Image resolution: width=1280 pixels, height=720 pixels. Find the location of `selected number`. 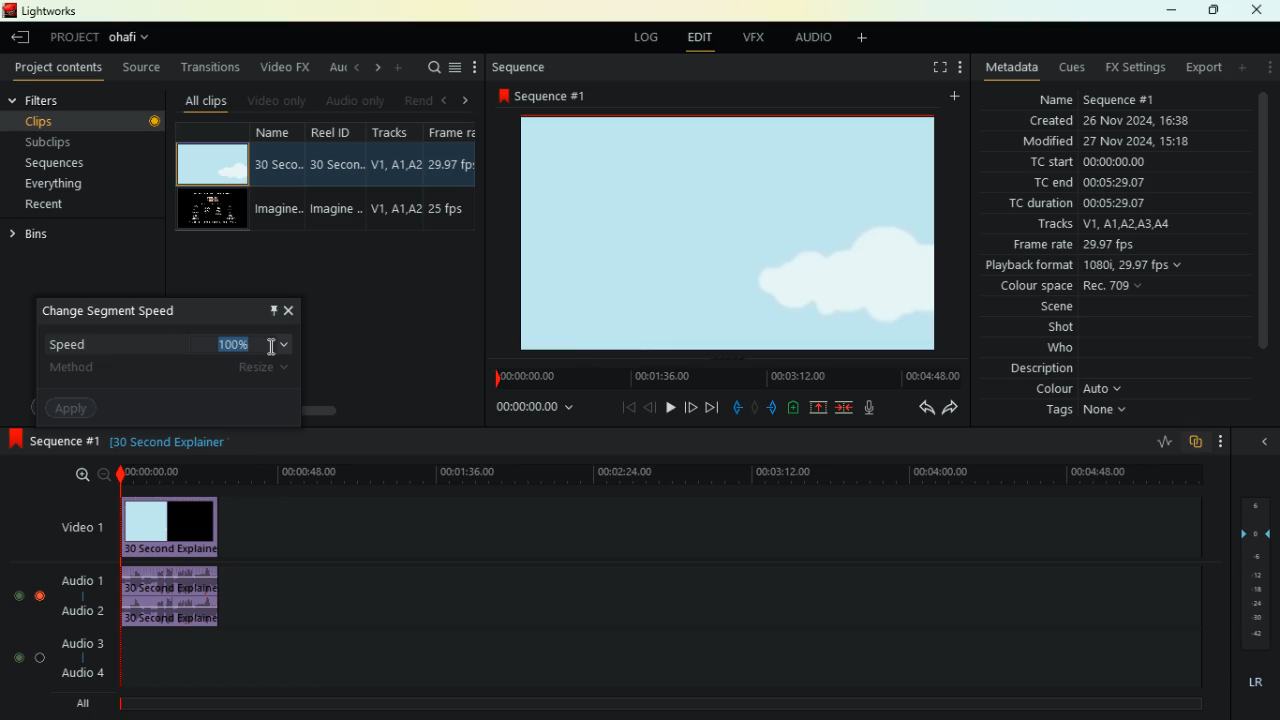

selected number is located at coordinates (235, 343).